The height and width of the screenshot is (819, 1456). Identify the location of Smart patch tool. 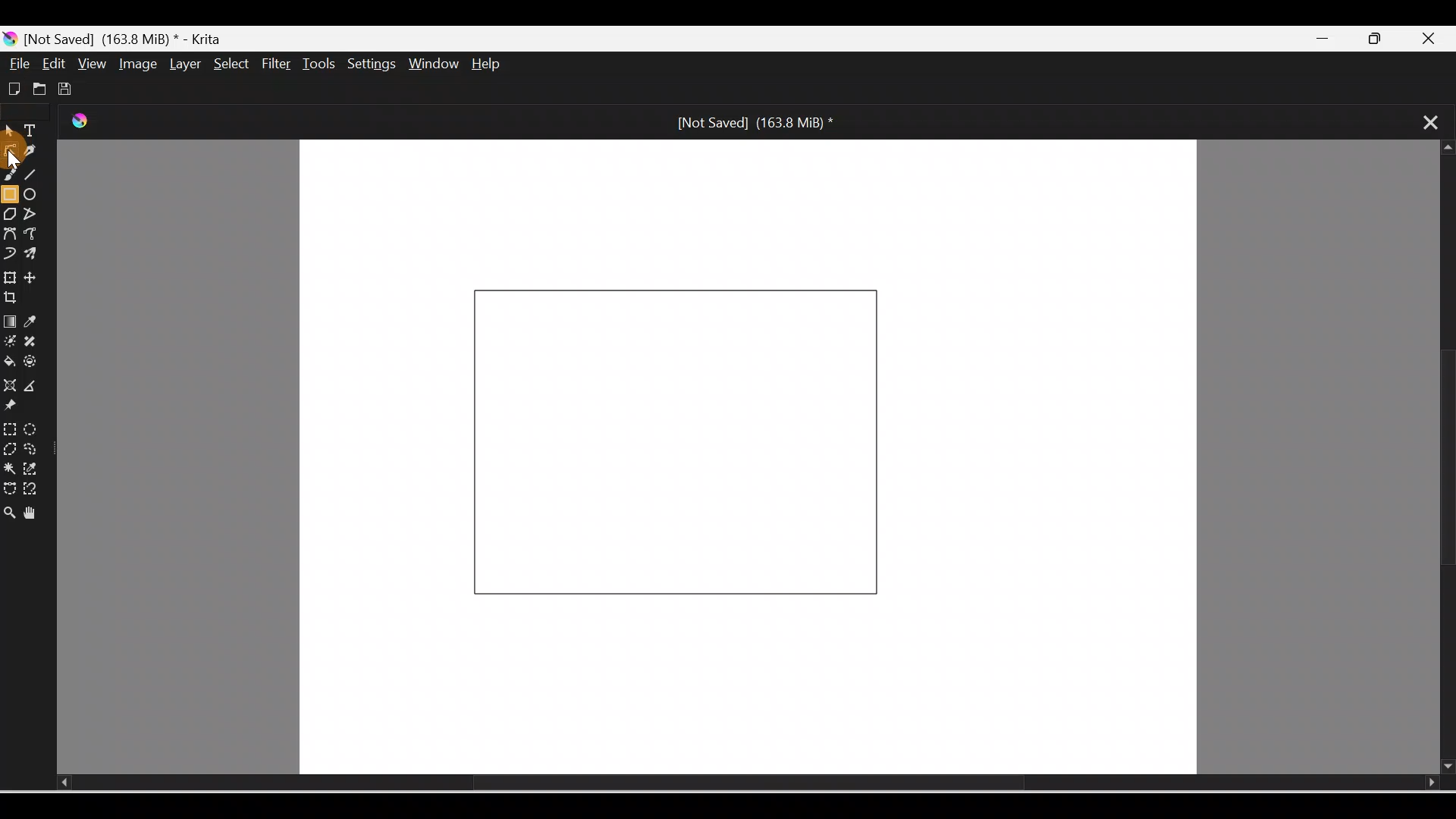
(37, 342).